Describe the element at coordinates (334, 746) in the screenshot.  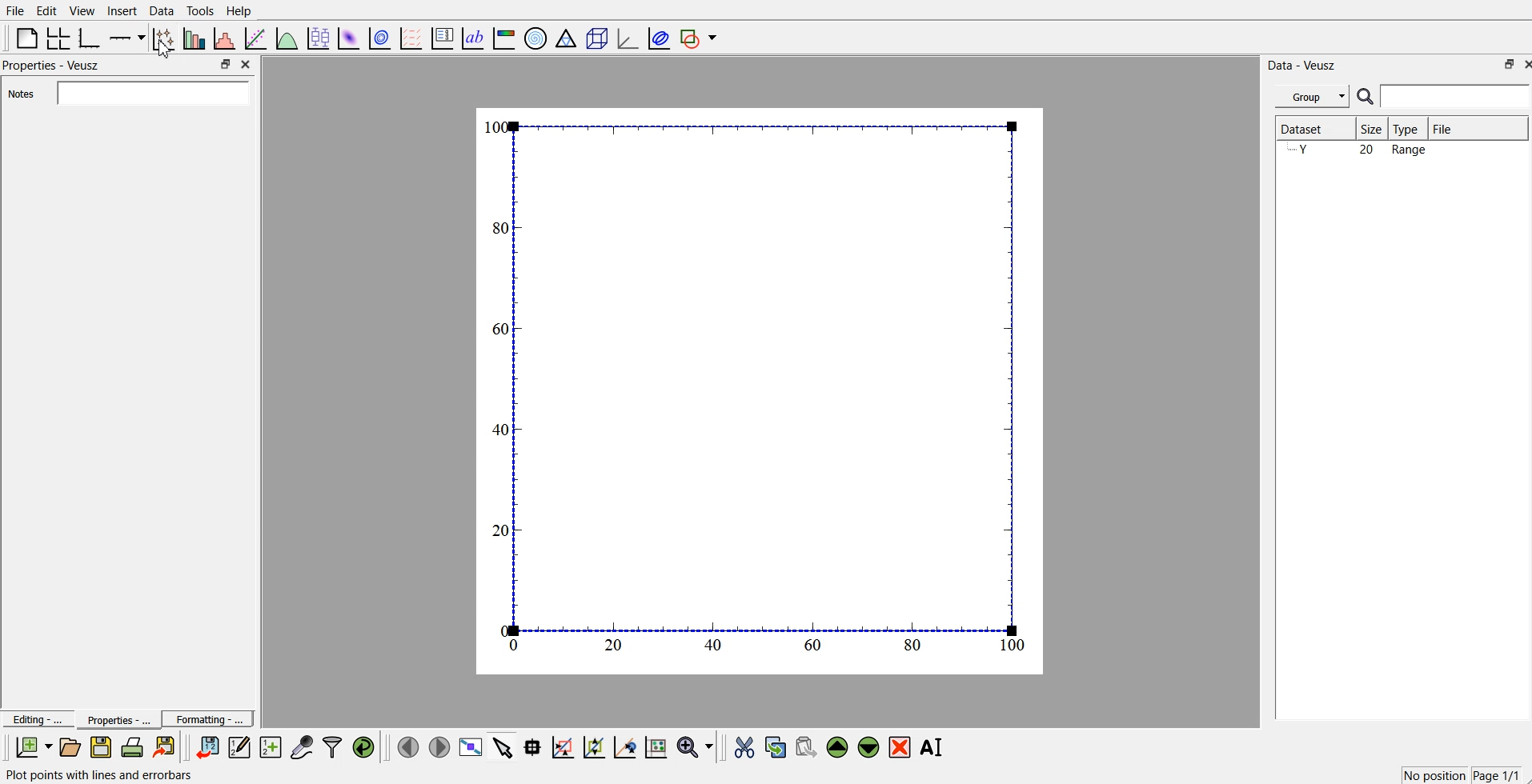
I see `Filter data` at that location.